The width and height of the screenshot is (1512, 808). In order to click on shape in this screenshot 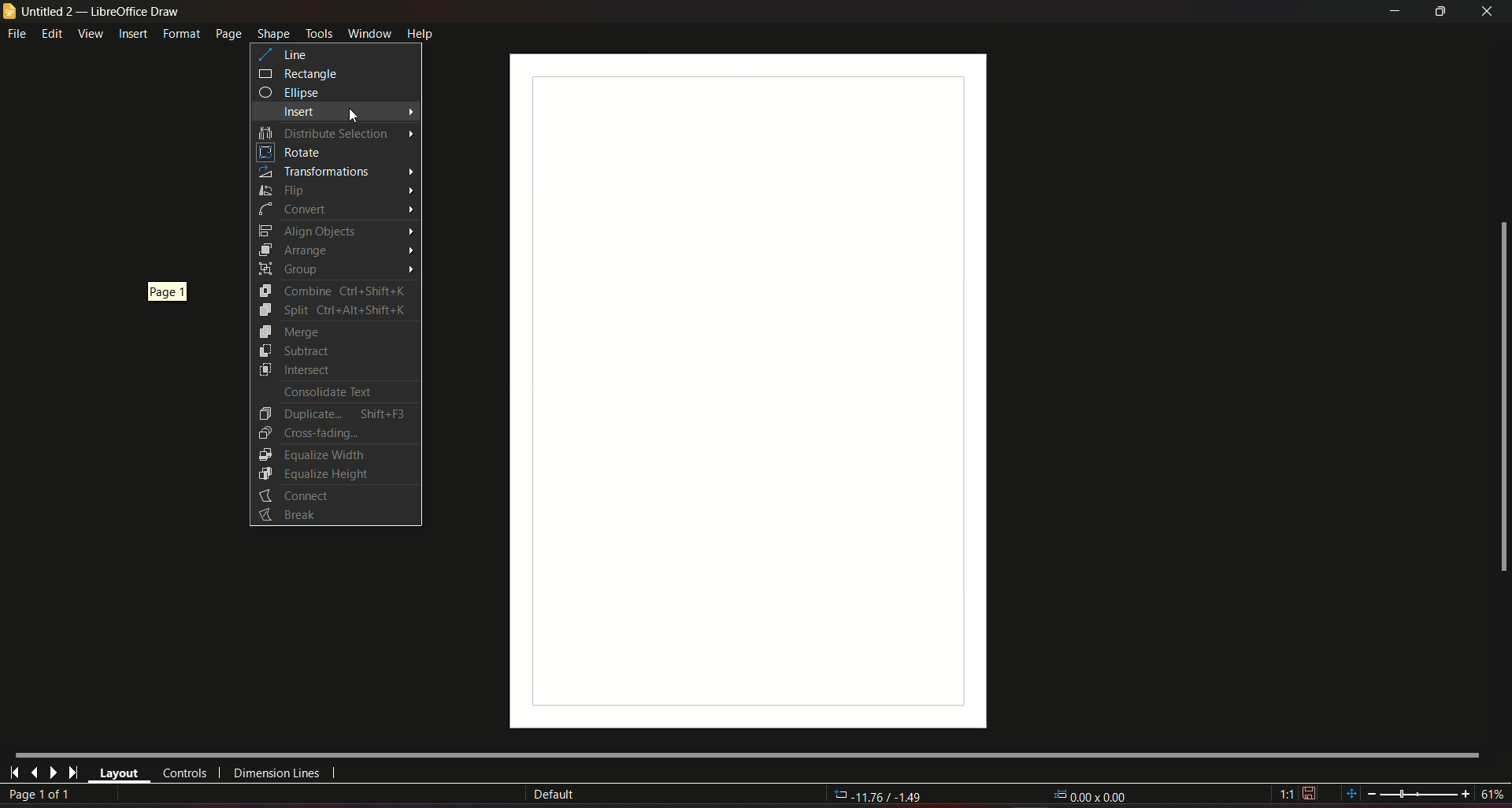, I will do `click(272, 32)`.